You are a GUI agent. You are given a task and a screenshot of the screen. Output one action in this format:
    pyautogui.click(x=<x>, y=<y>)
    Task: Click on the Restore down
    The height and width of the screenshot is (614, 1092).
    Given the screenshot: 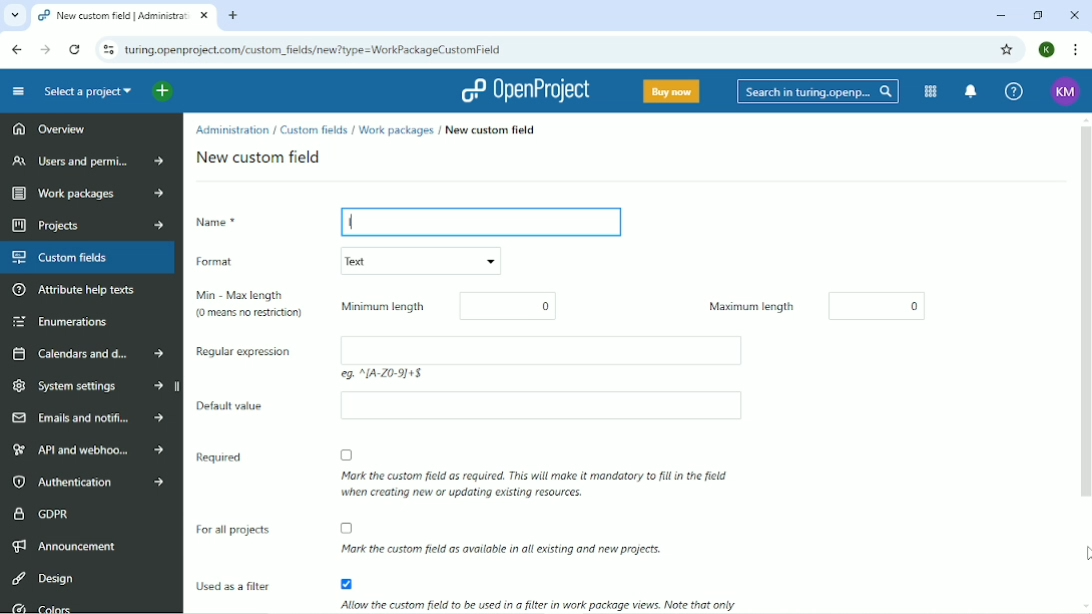 What is the action you would take?
    pyautogui.click(x=1038, y=15)
    